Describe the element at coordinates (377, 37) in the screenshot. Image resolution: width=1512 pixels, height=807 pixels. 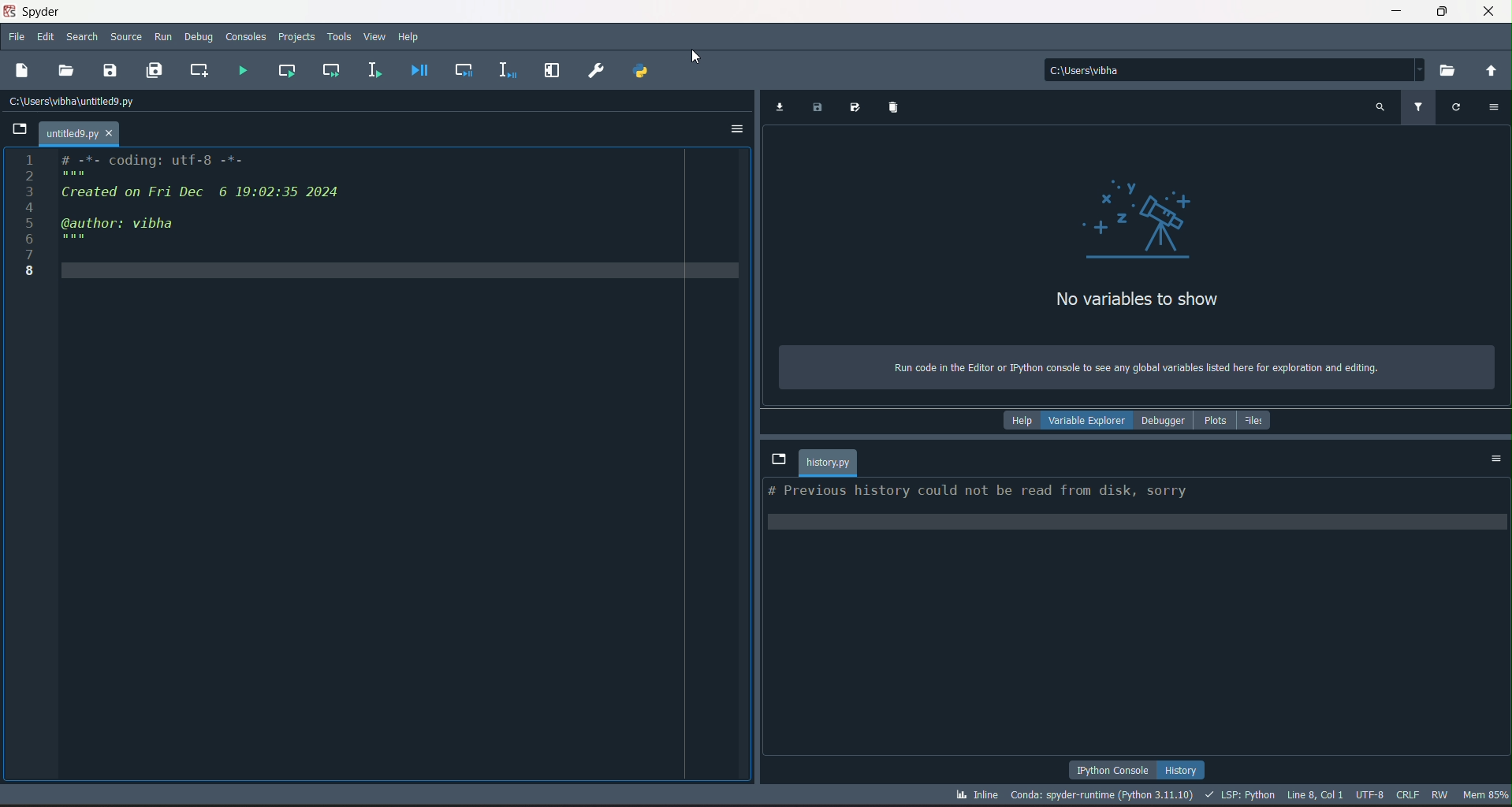
I see `view` at that location.